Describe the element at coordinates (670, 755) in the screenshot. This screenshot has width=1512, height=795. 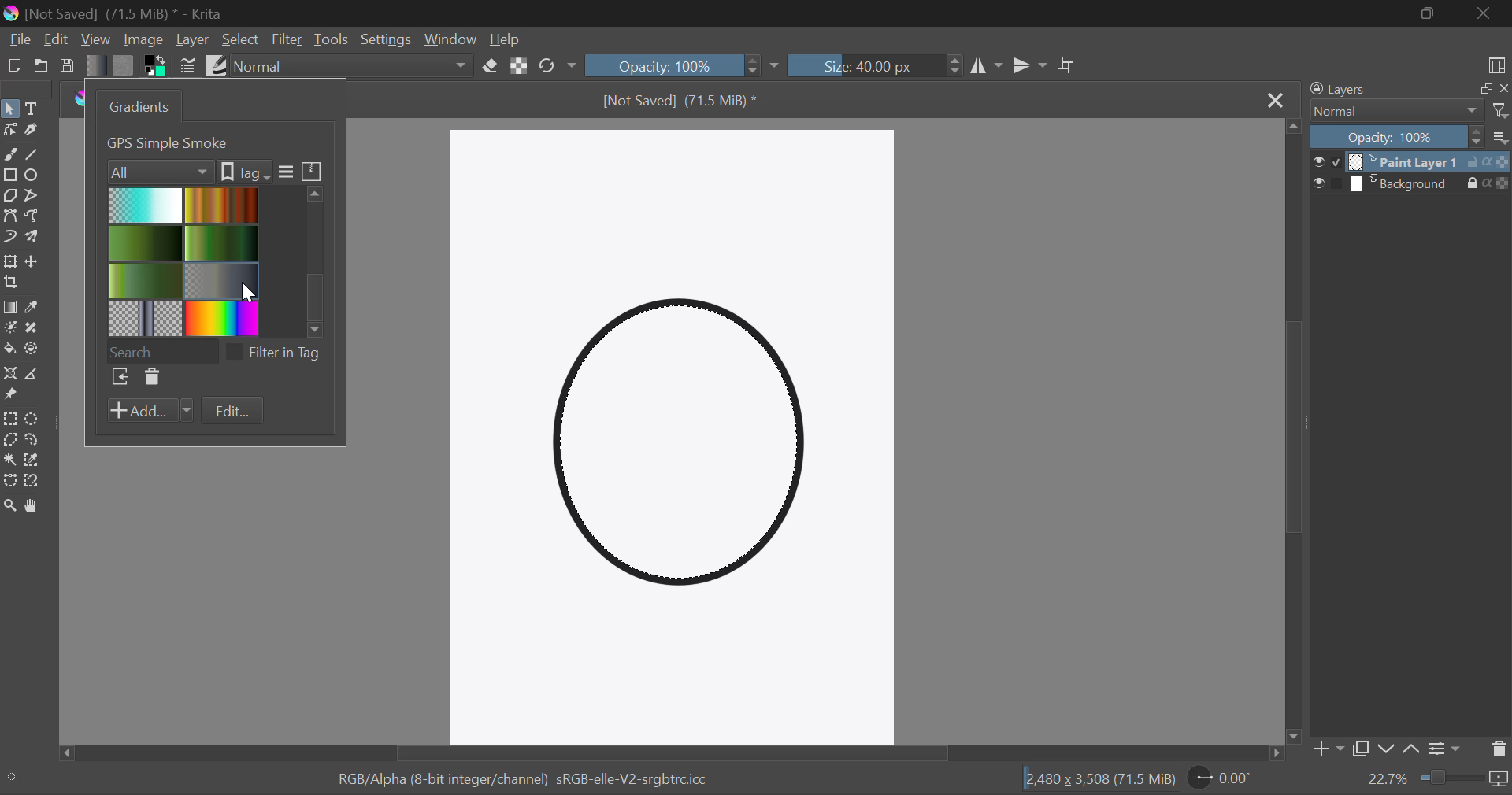
I see `Scroll Bar` at that location.